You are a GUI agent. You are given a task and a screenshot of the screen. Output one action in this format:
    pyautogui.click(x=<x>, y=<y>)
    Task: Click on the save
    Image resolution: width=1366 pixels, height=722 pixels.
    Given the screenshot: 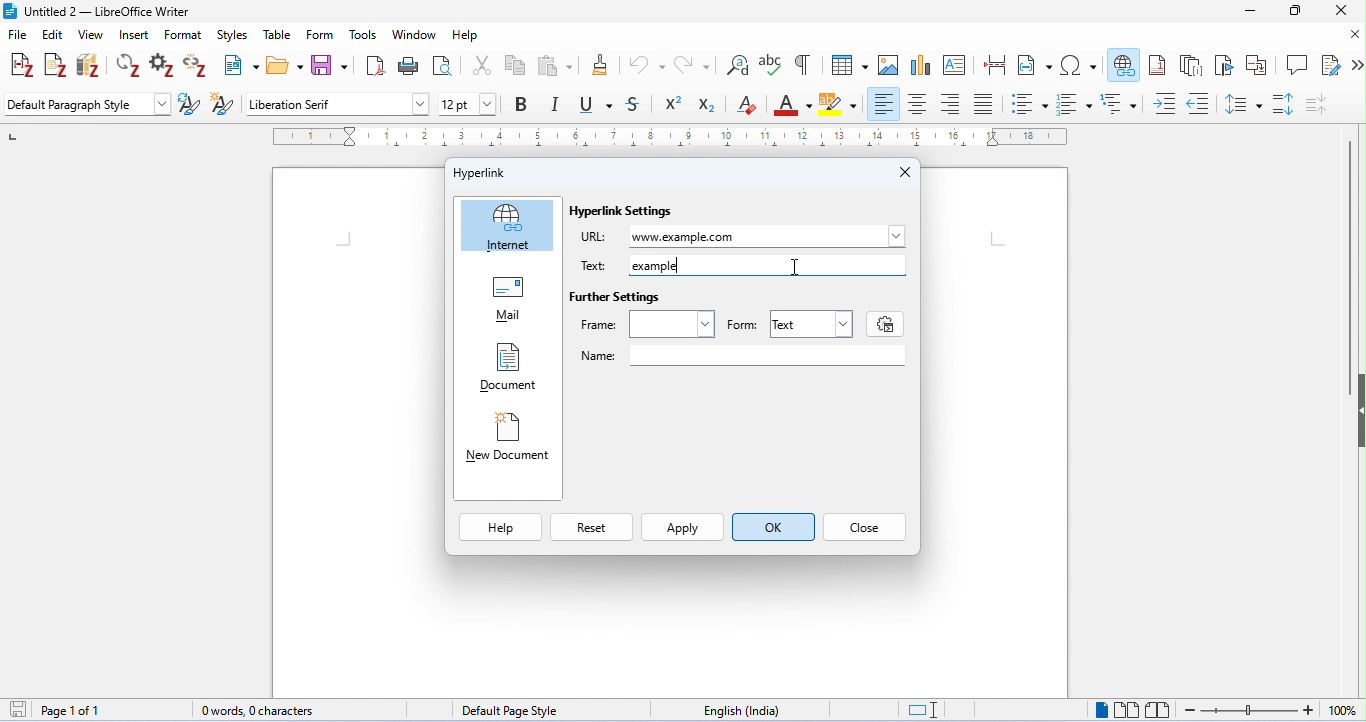 What is the action you would take?
    pyautogui.click(x=21, y=710)
    